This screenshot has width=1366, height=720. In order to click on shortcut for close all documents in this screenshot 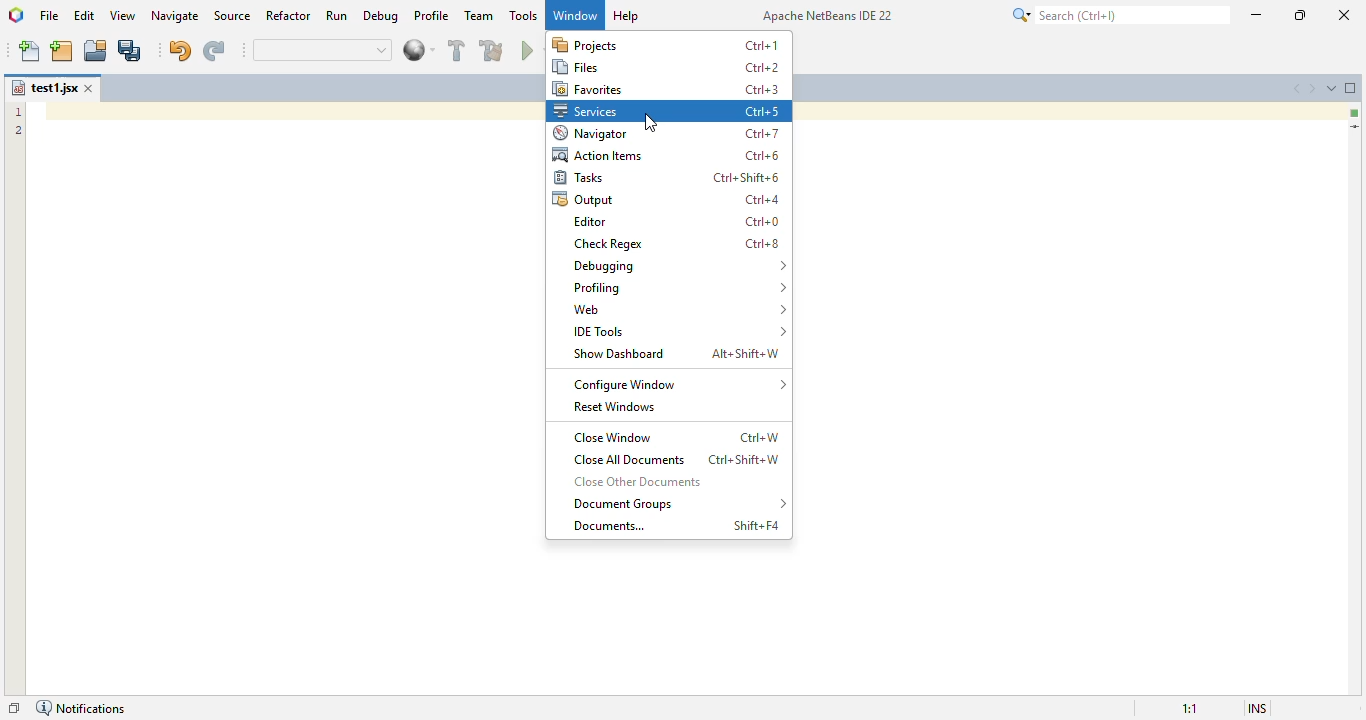, I will do `click(744, 460)`.